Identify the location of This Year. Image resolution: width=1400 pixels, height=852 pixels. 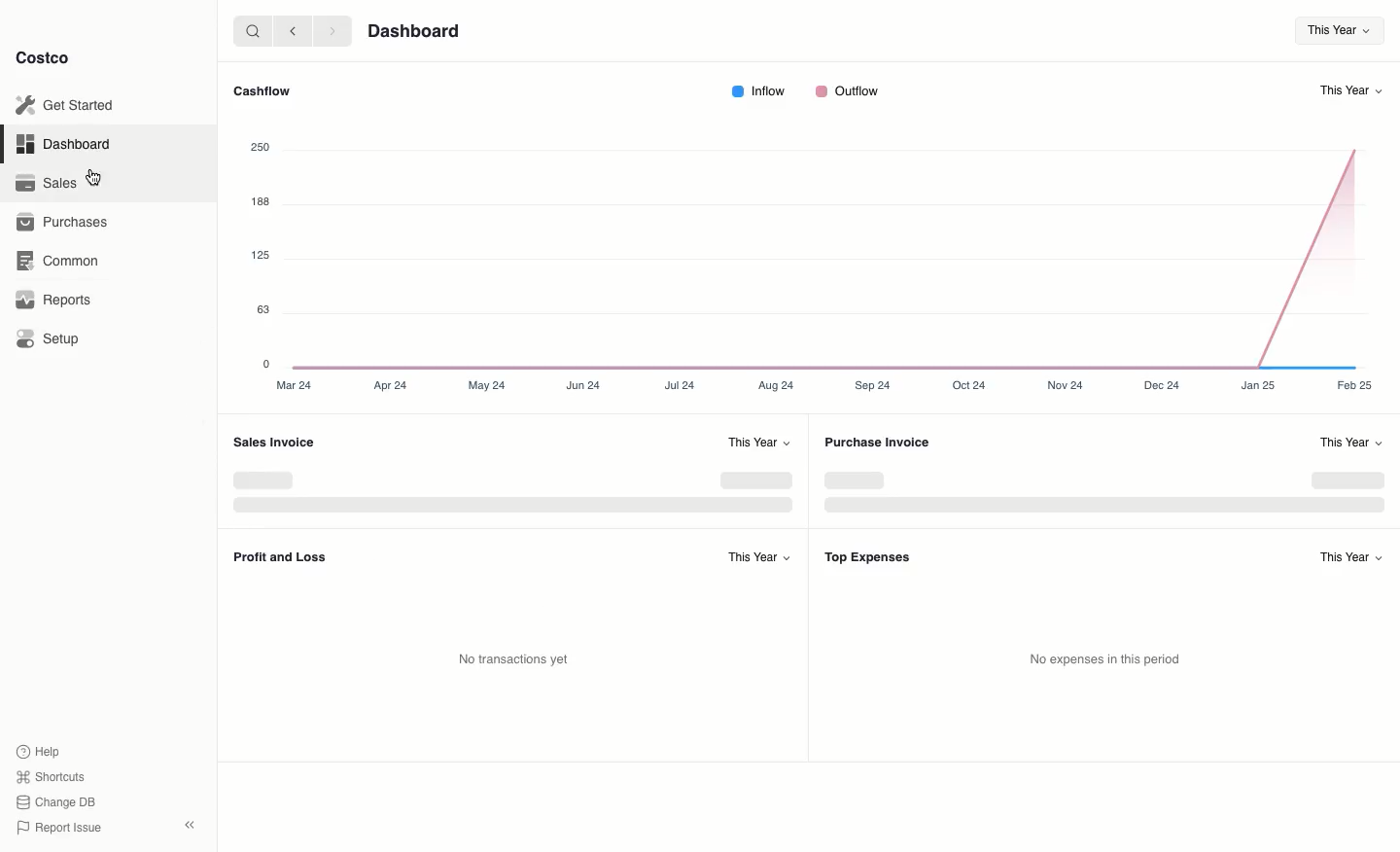
(1353, 91).